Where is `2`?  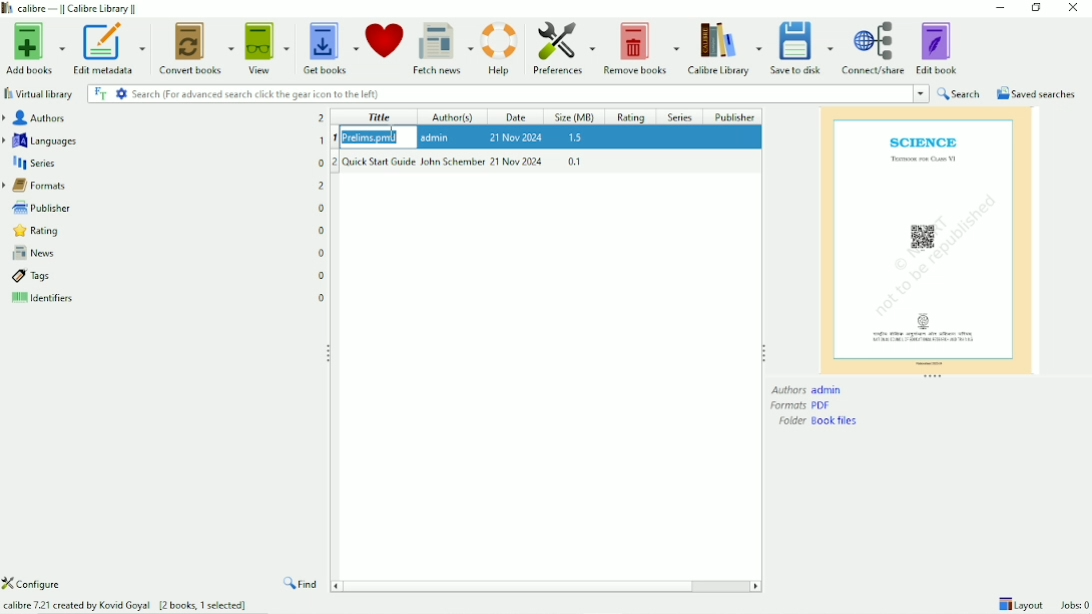 2 is located at coordinates (322, 118).